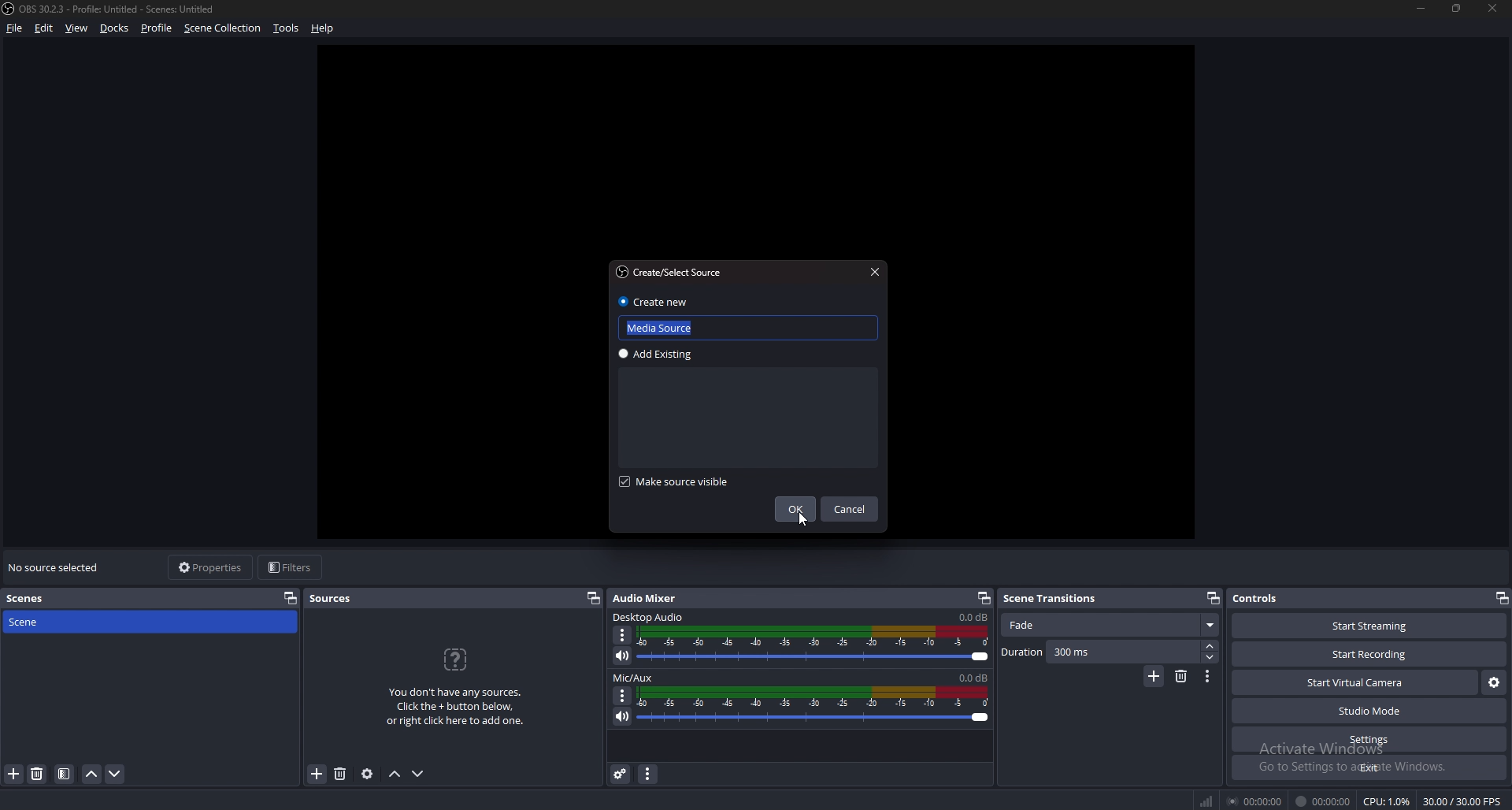 This screenshot has width=1512, height=810. I want to click on Properties, so click(210, 567).